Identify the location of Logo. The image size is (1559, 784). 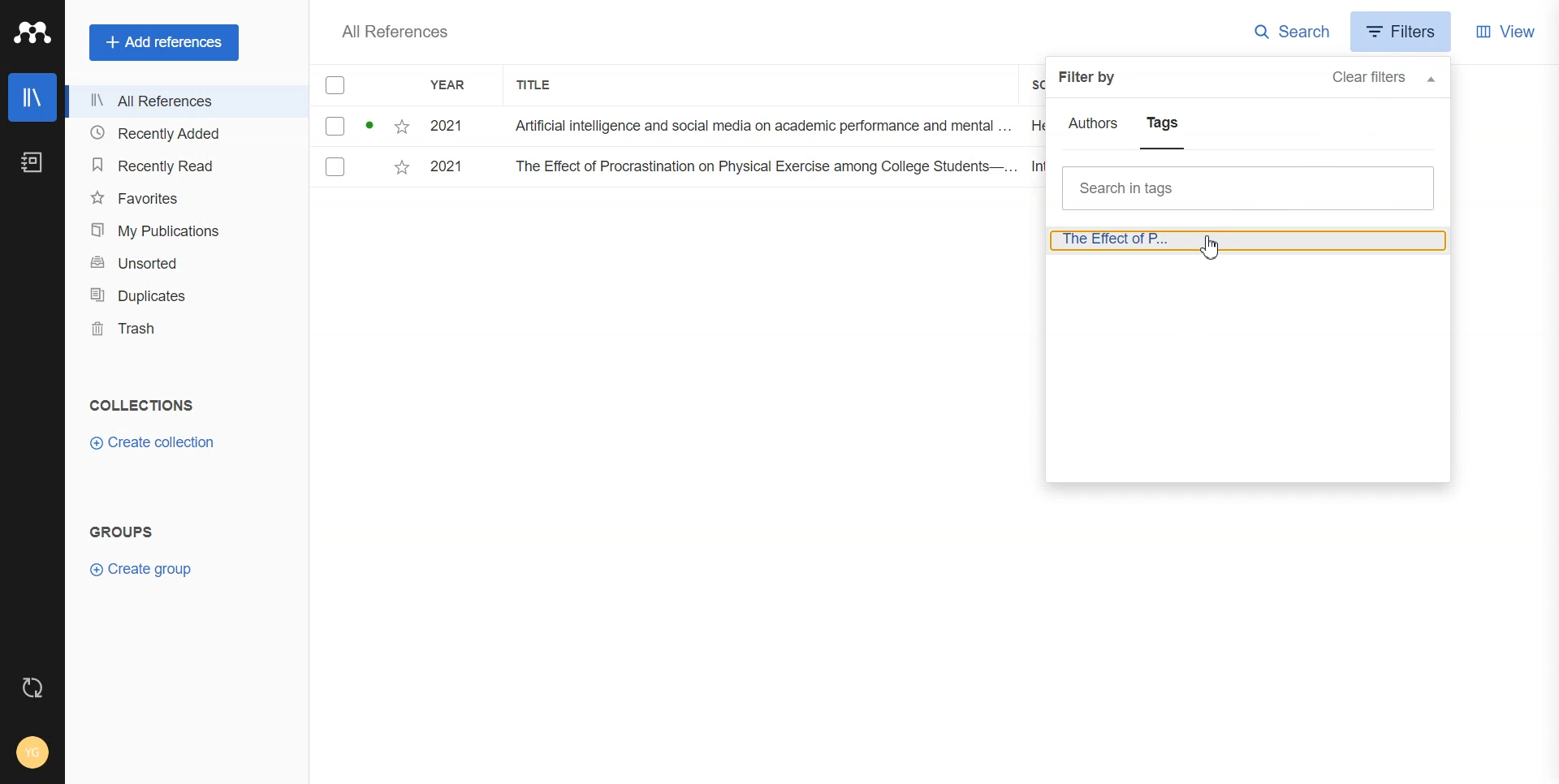
(32, 31).